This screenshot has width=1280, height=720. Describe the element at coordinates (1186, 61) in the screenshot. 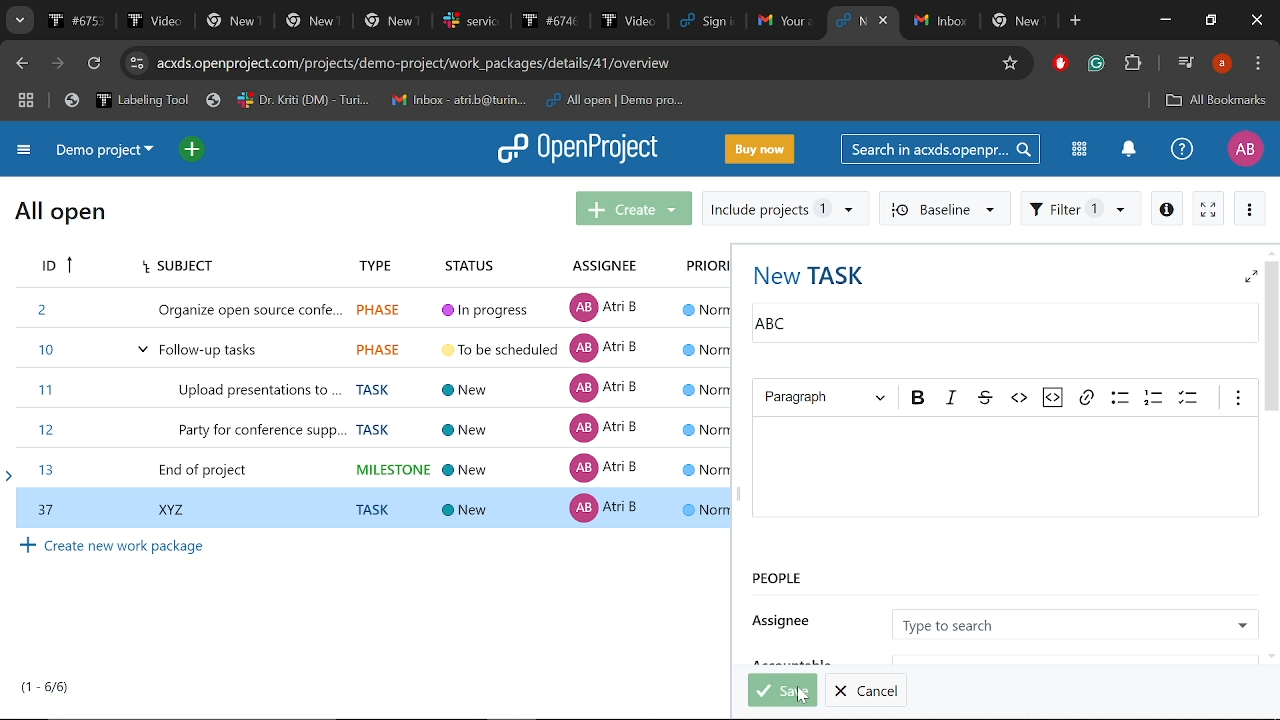

I see `Control your music videos and more` at that location.